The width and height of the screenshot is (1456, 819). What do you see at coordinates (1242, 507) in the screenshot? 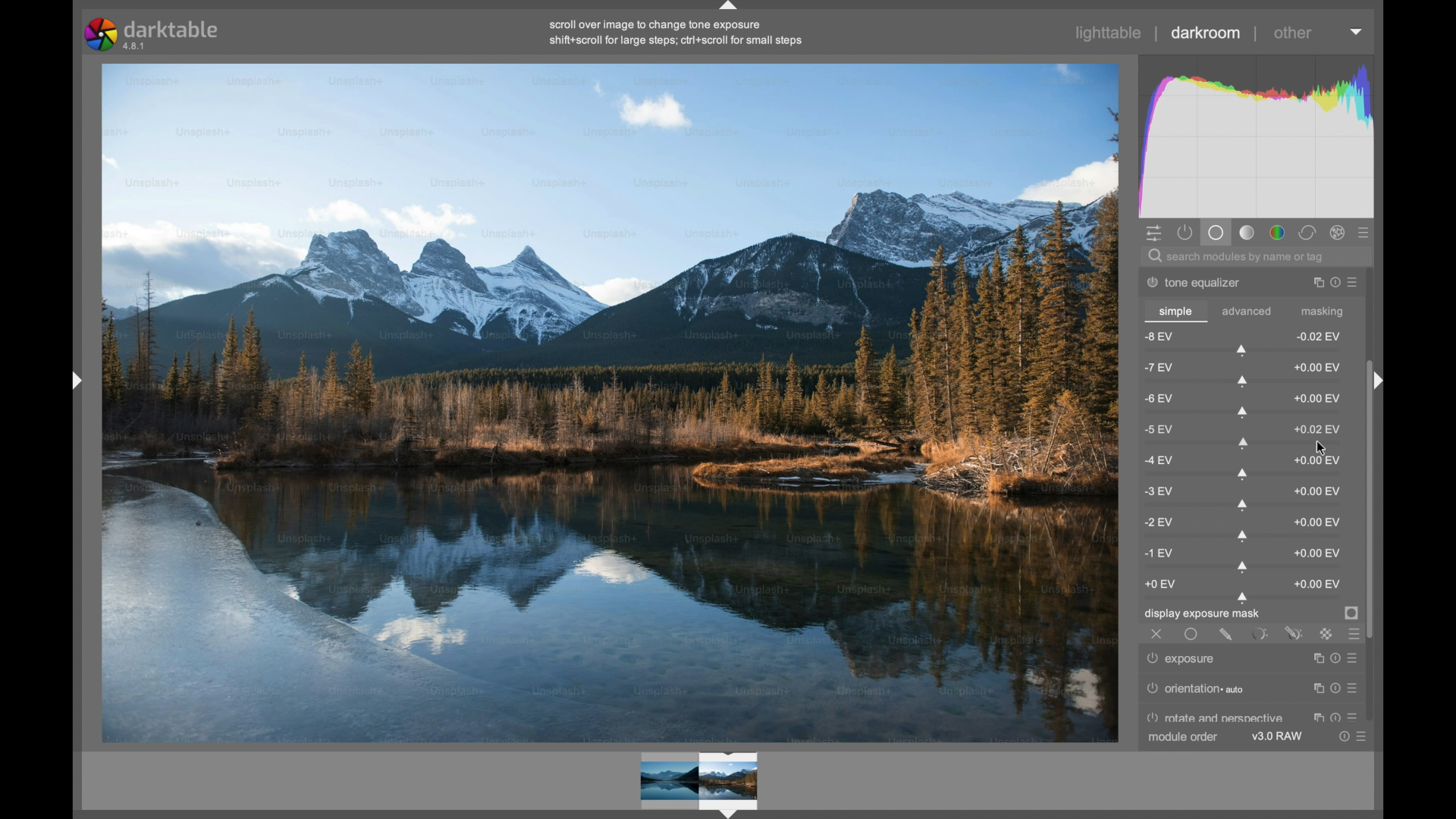
I see `slider` at bounding box center [1242, 507].